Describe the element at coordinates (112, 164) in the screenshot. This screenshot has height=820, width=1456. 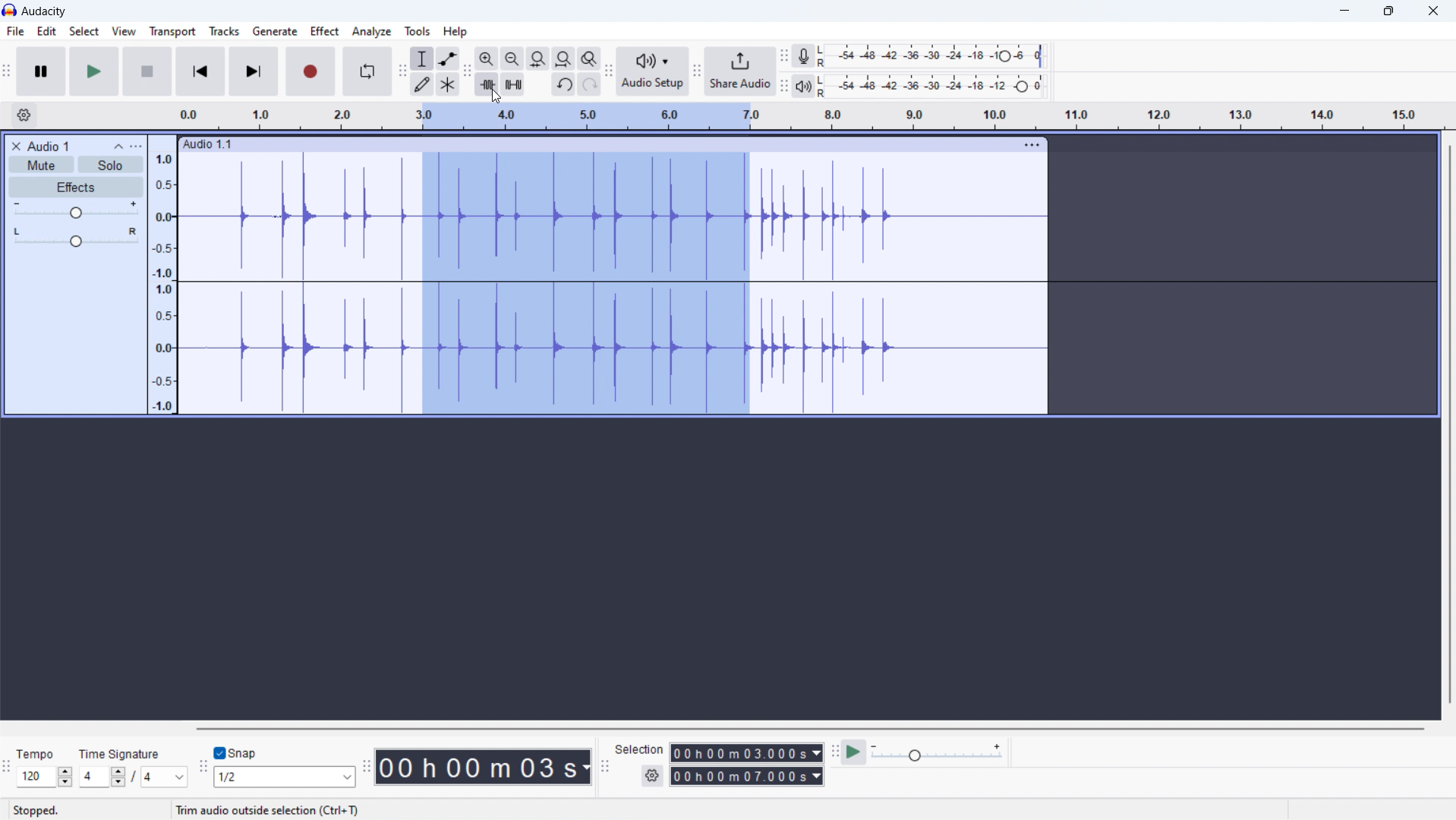
I see `solo` at that location.